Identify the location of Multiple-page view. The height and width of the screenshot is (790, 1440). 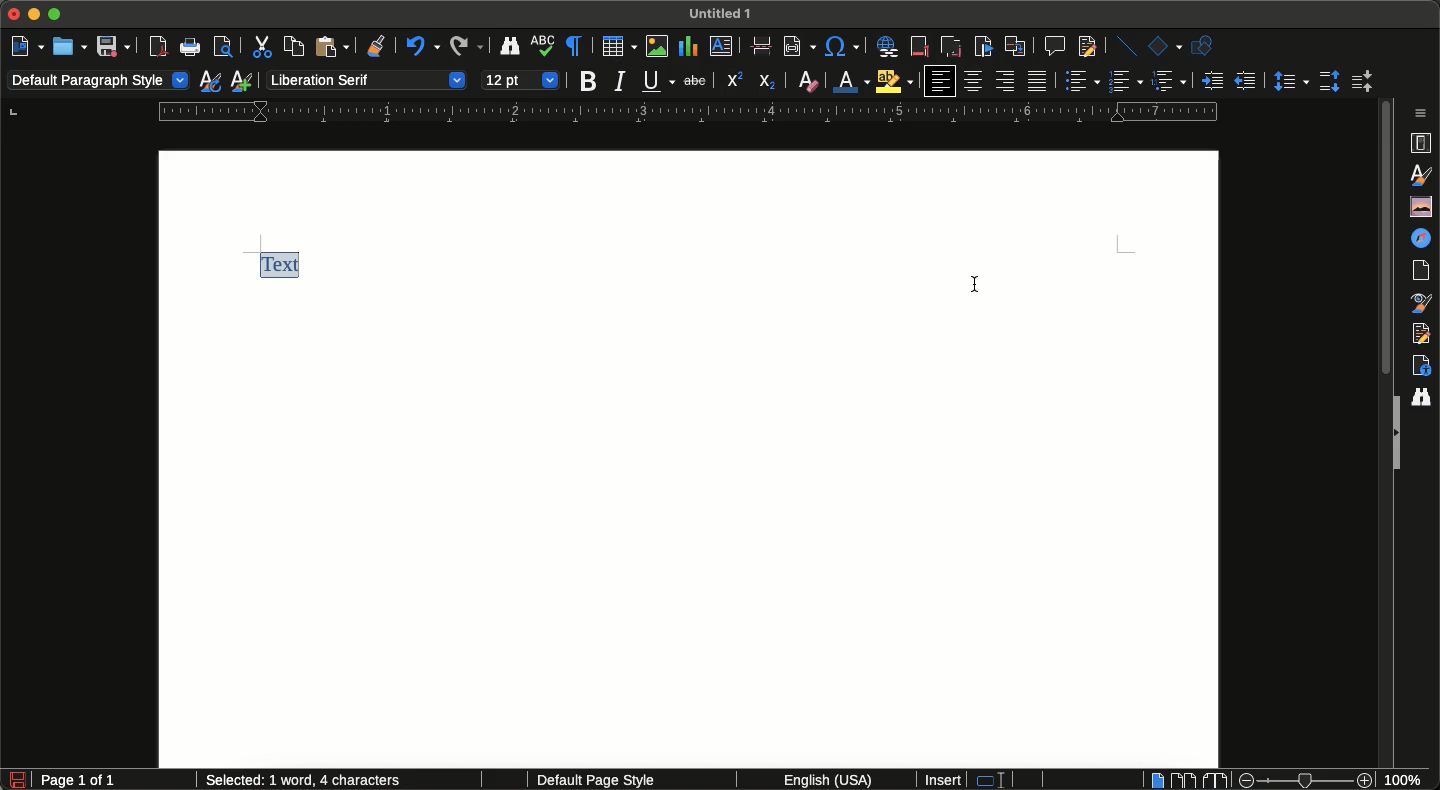
(1183, 779).